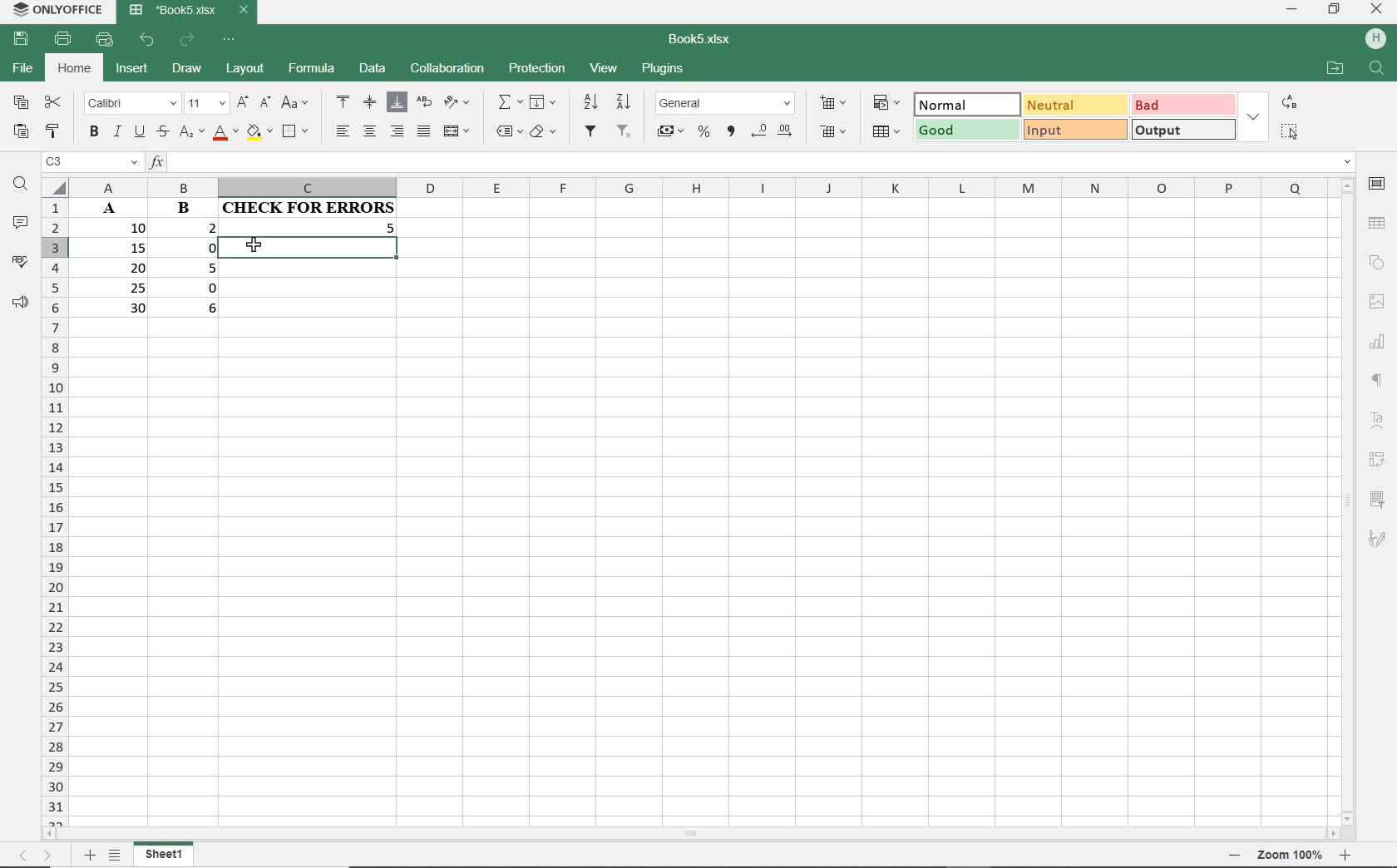  I want to click on , so click(1346, 855).